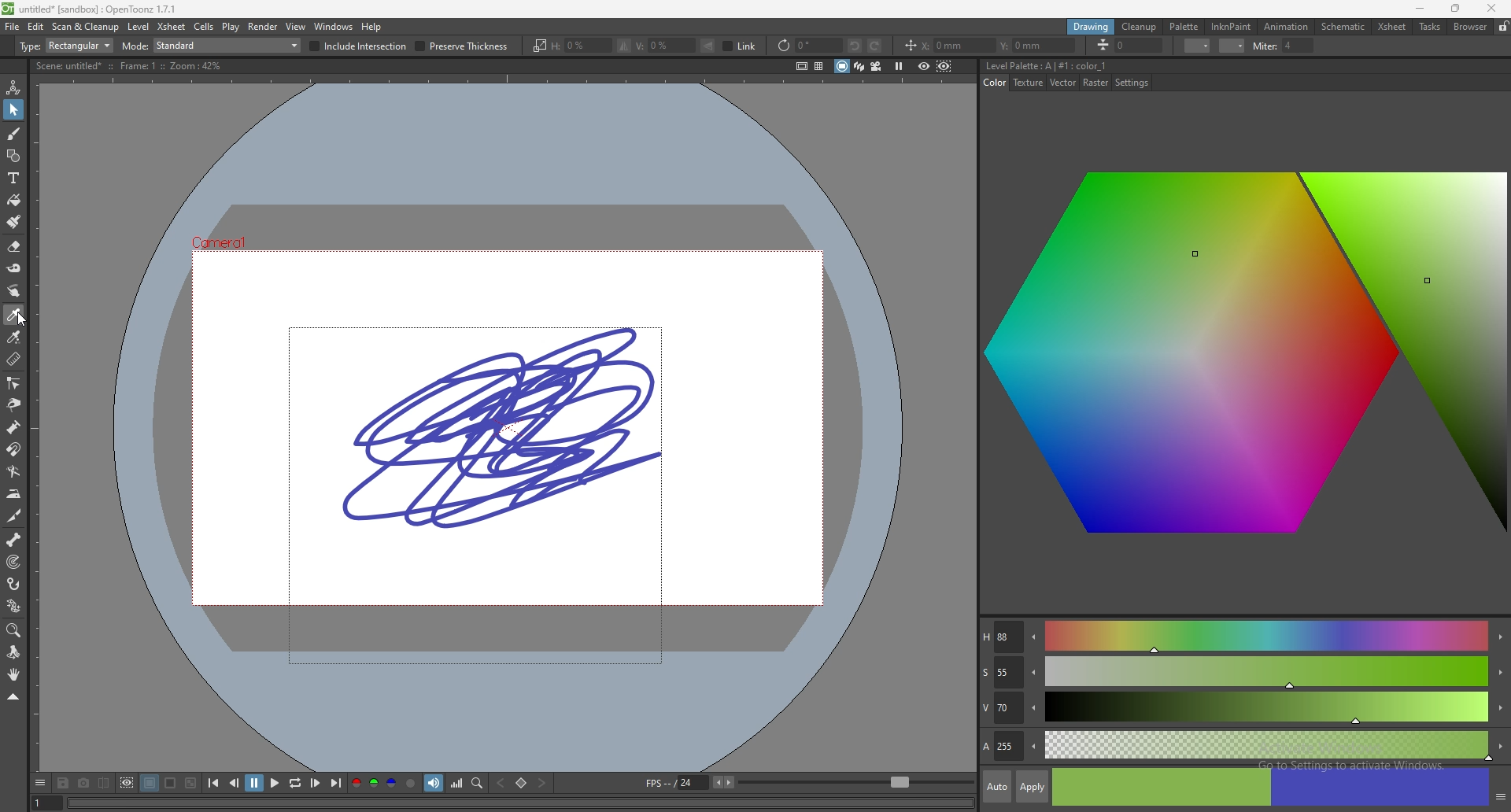 Image resolution: width=1511 pixels, height=812 pixels. Describe the element at coordinates (13, 88) in the screenshot. I see `animate tool` at that location.